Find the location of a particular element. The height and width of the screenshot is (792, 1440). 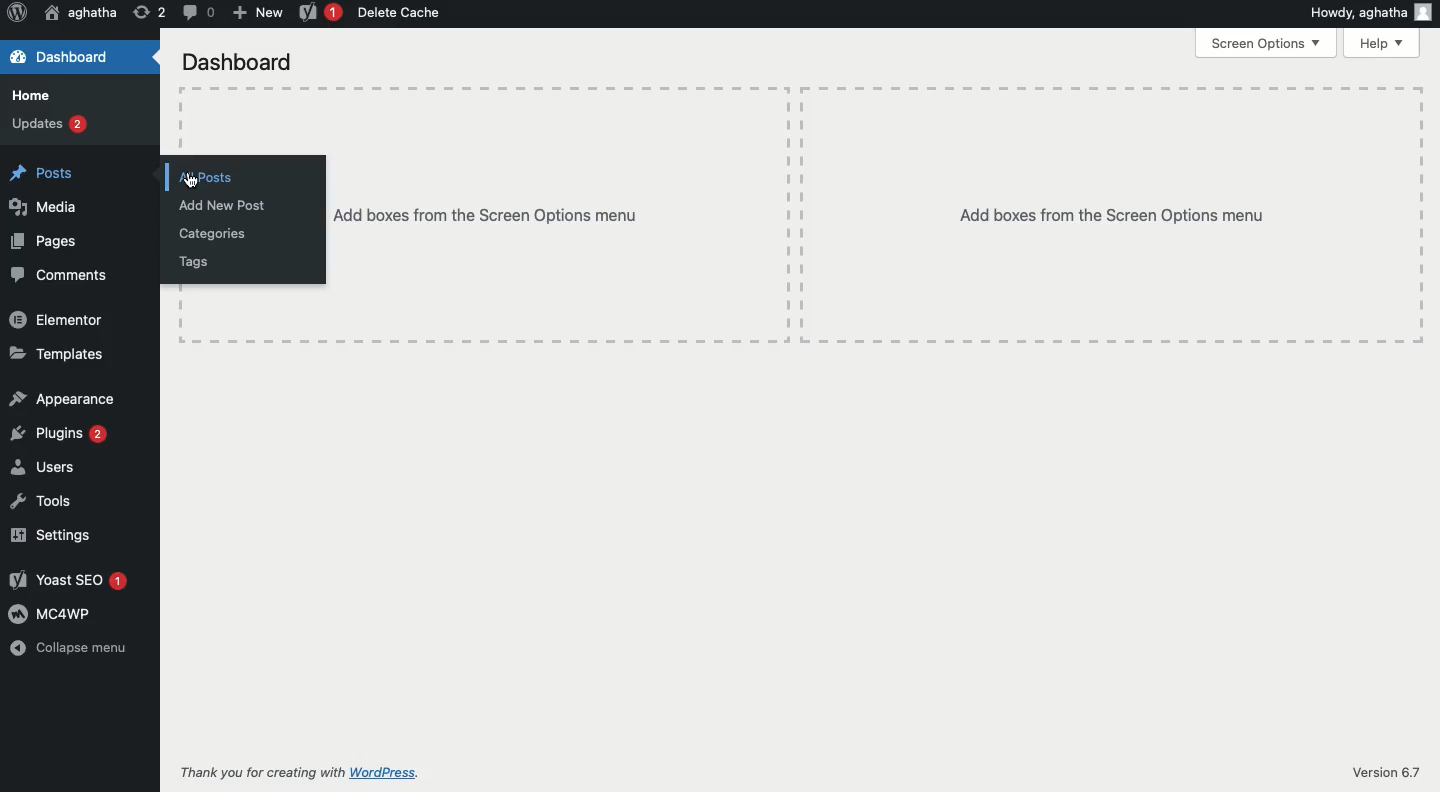

Yoast SEO is located at coordinates (69, 579).